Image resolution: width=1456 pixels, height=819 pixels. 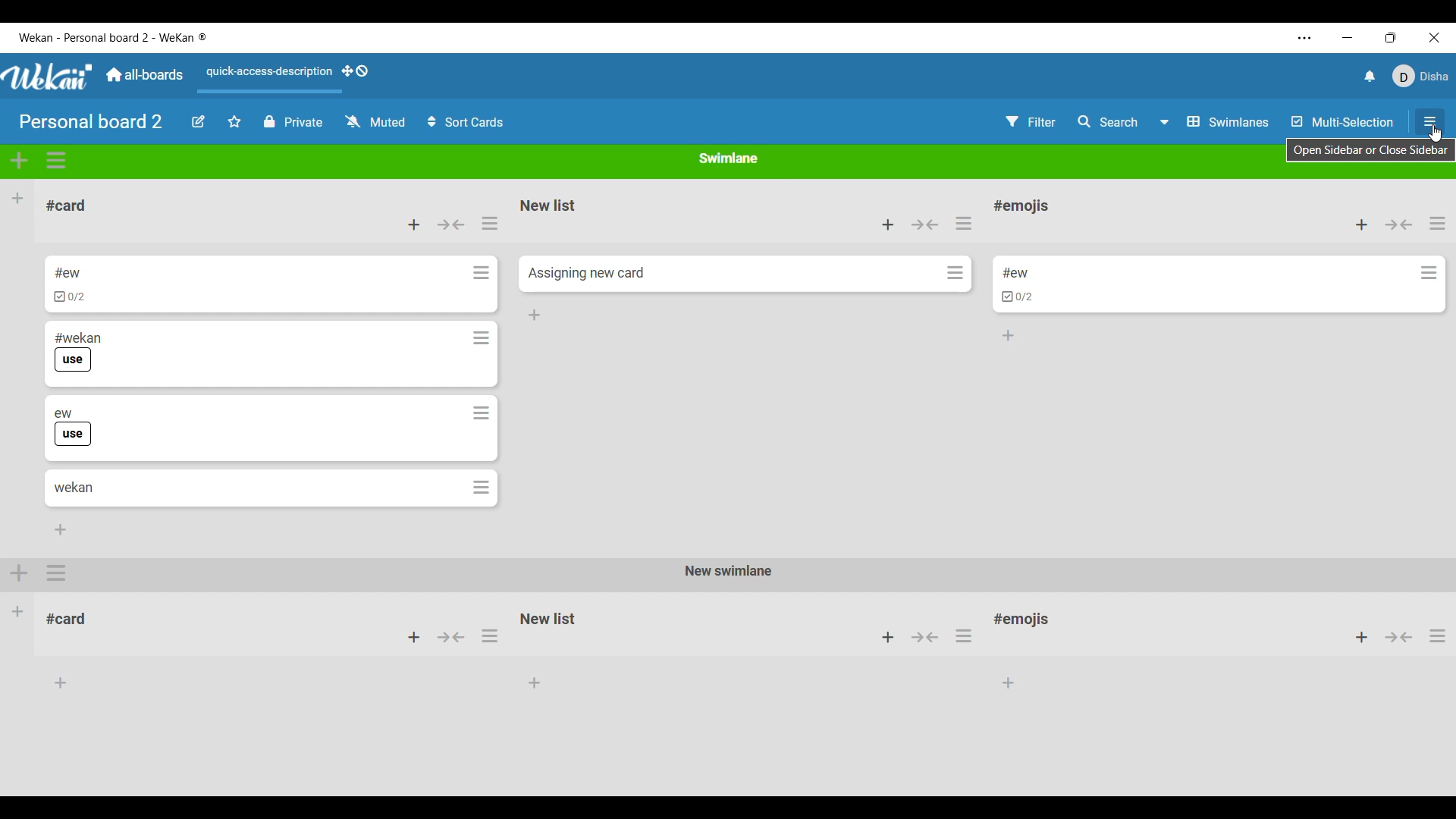 What do you see at coordinates (113, 38) in the screenshot?
I see `Software title and board title` at bounding box center [113, 38].